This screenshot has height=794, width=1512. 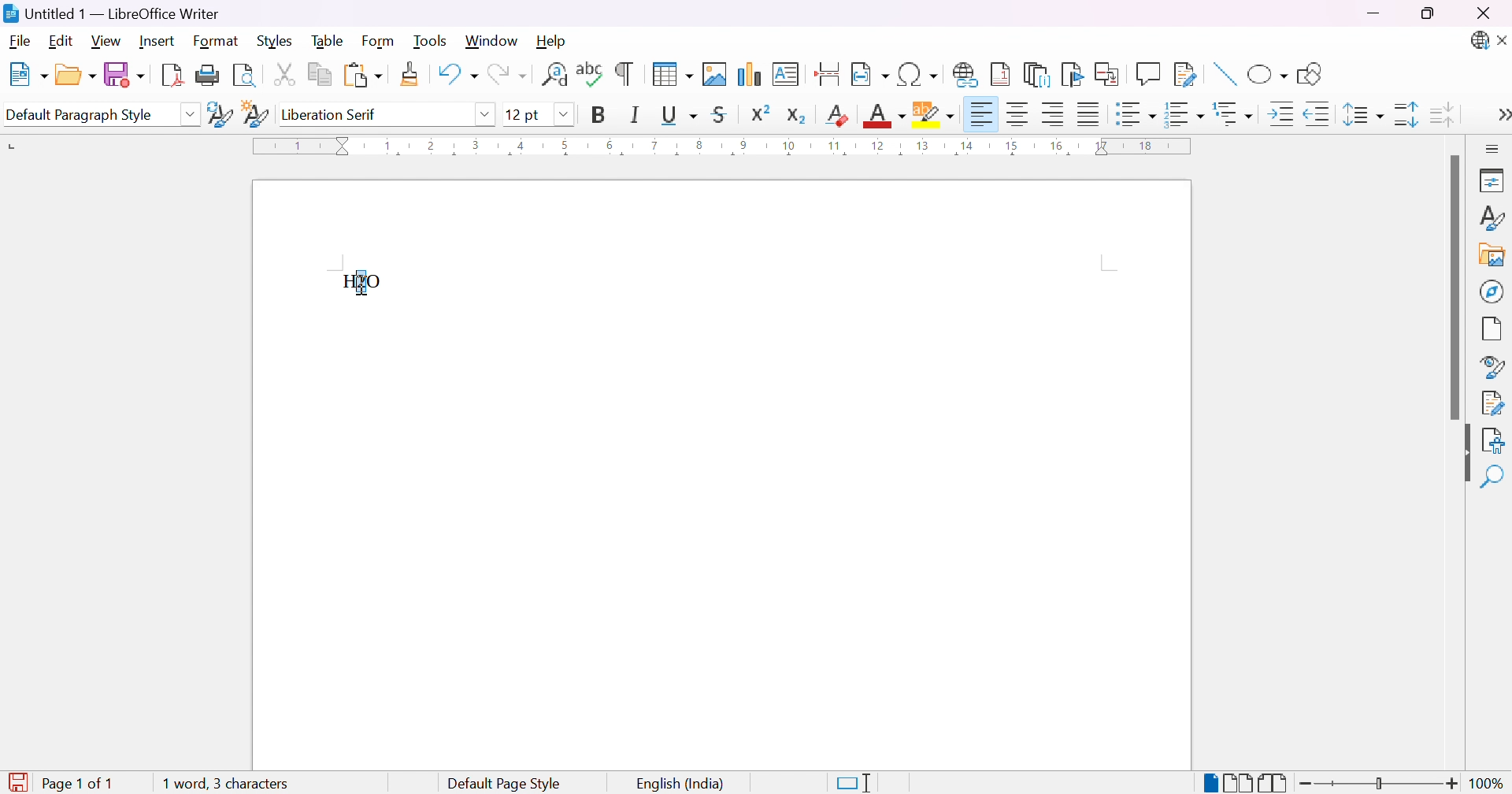 I want to click on Book view, so click(x=1273, y=783).